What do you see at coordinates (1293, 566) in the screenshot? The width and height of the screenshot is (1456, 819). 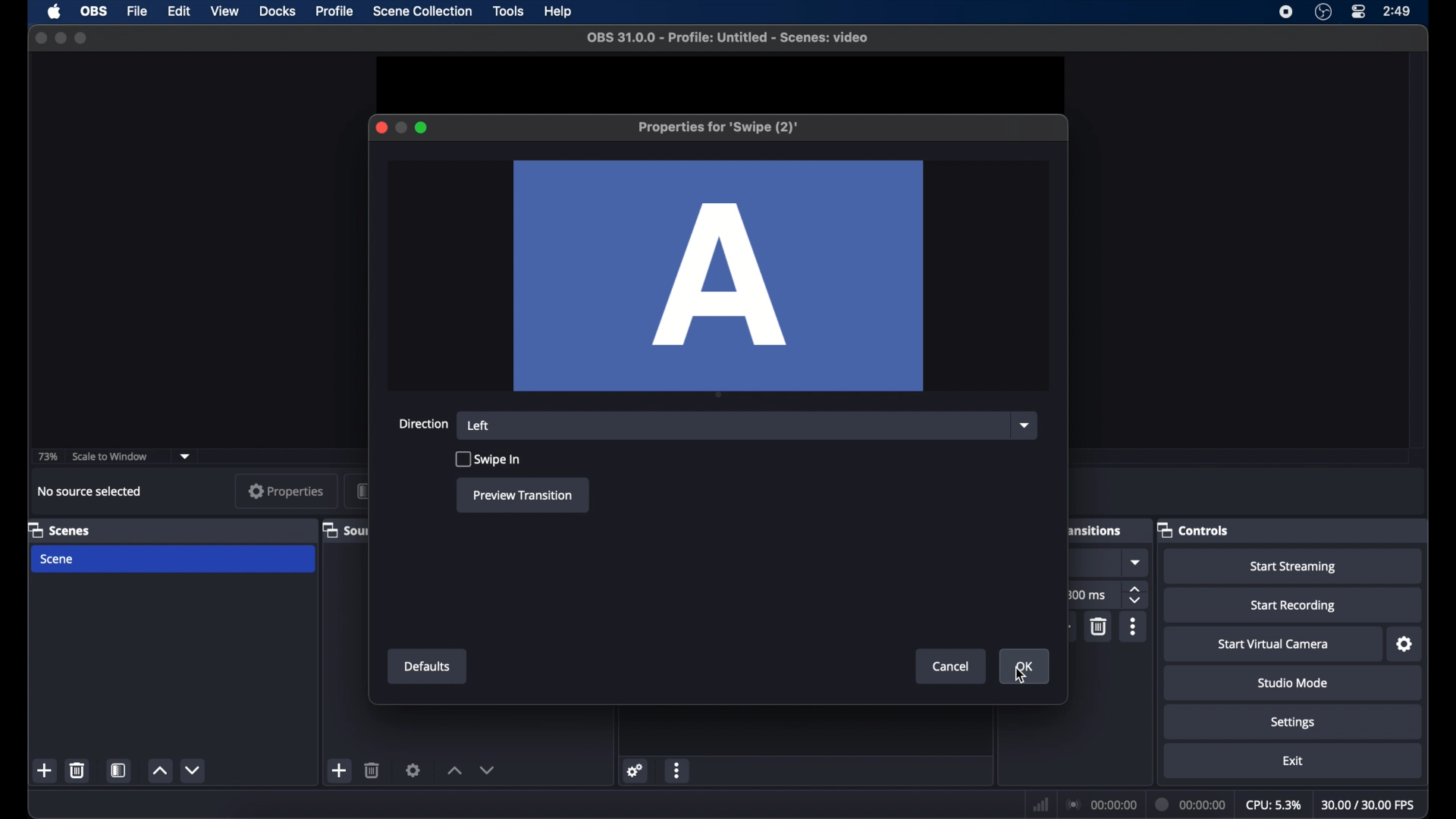 I see `start streaming` at bounding box center [1293, 566].